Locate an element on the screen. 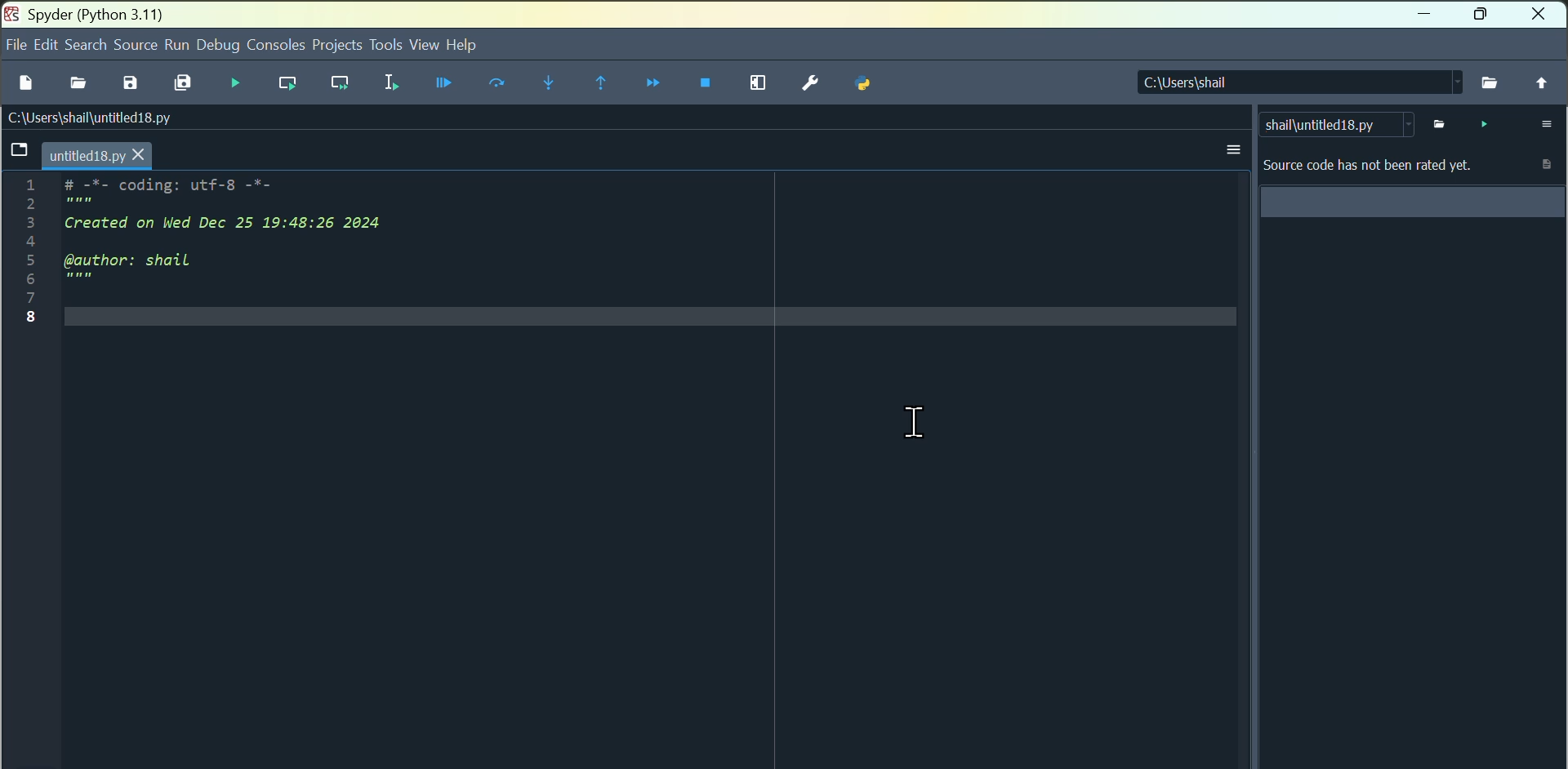  Run is located at coordinates (176, 43).